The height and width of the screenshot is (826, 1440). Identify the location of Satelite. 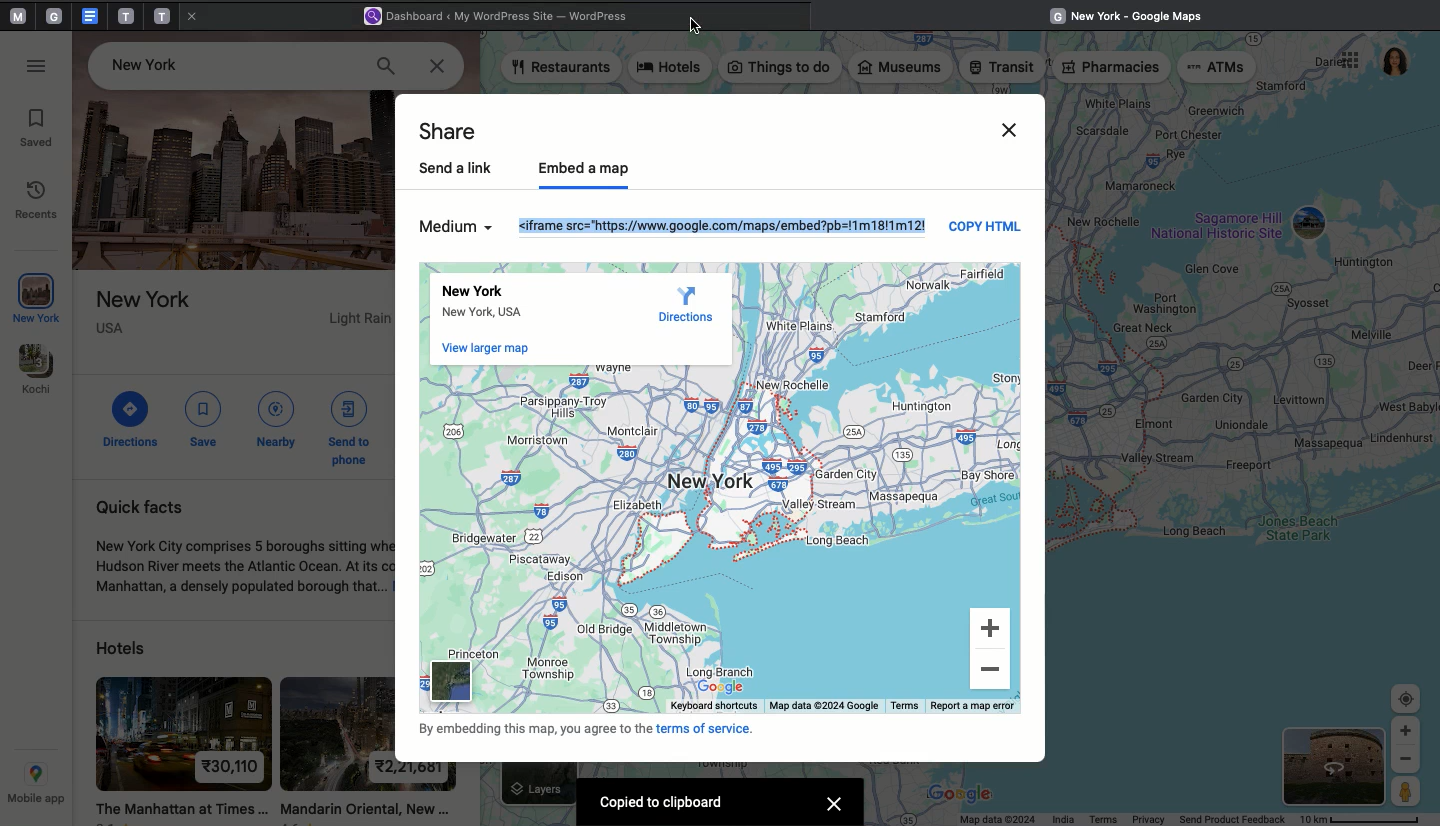
(1335, 766).